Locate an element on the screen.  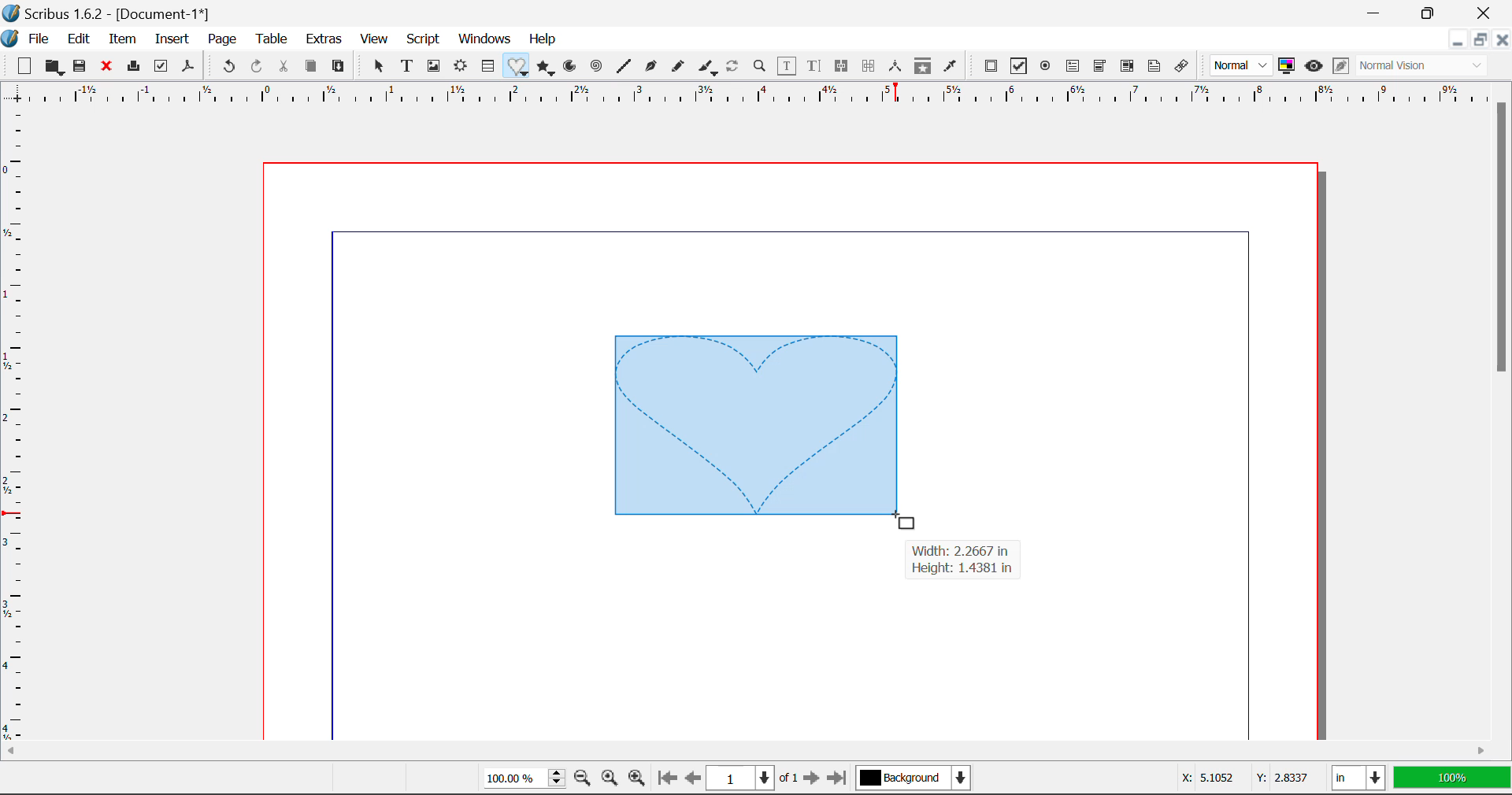
Previous is located at coordinates (694, 779).